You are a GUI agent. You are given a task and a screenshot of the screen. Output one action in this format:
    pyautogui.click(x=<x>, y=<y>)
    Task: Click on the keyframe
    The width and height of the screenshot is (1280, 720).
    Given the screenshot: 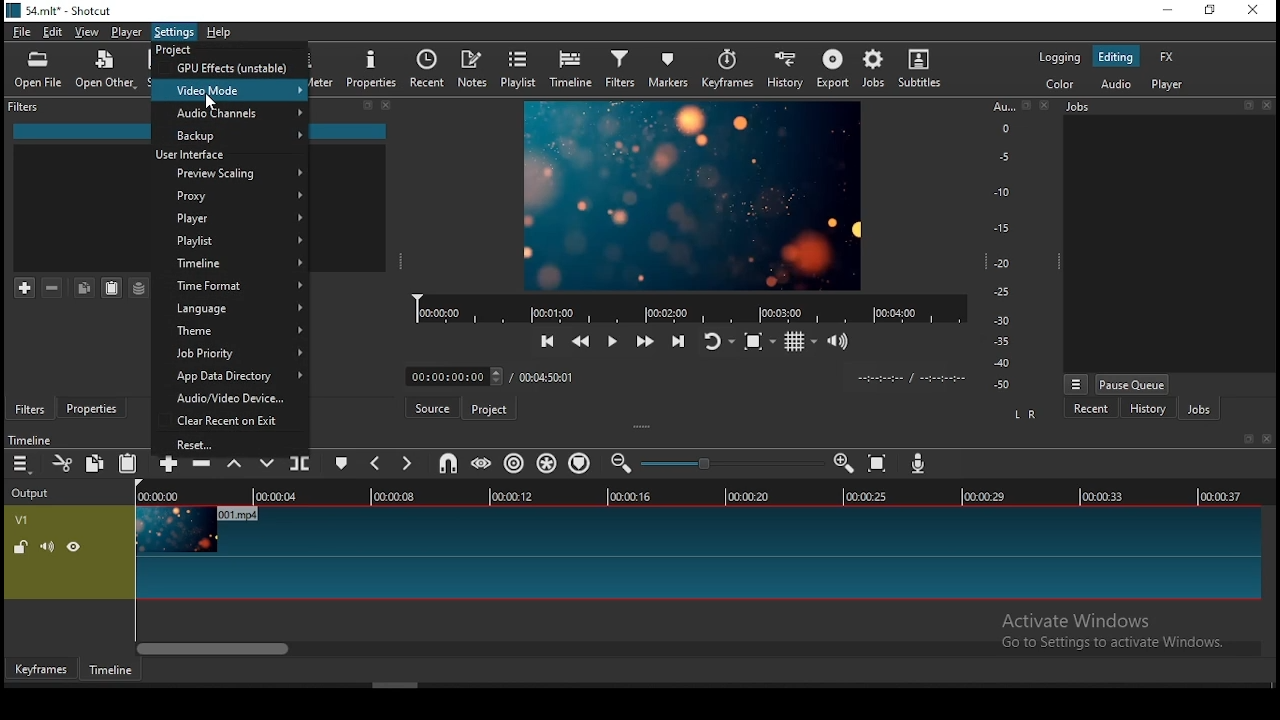 What is the action you would take?
    pyautogui.click(x=39, y=670)
    